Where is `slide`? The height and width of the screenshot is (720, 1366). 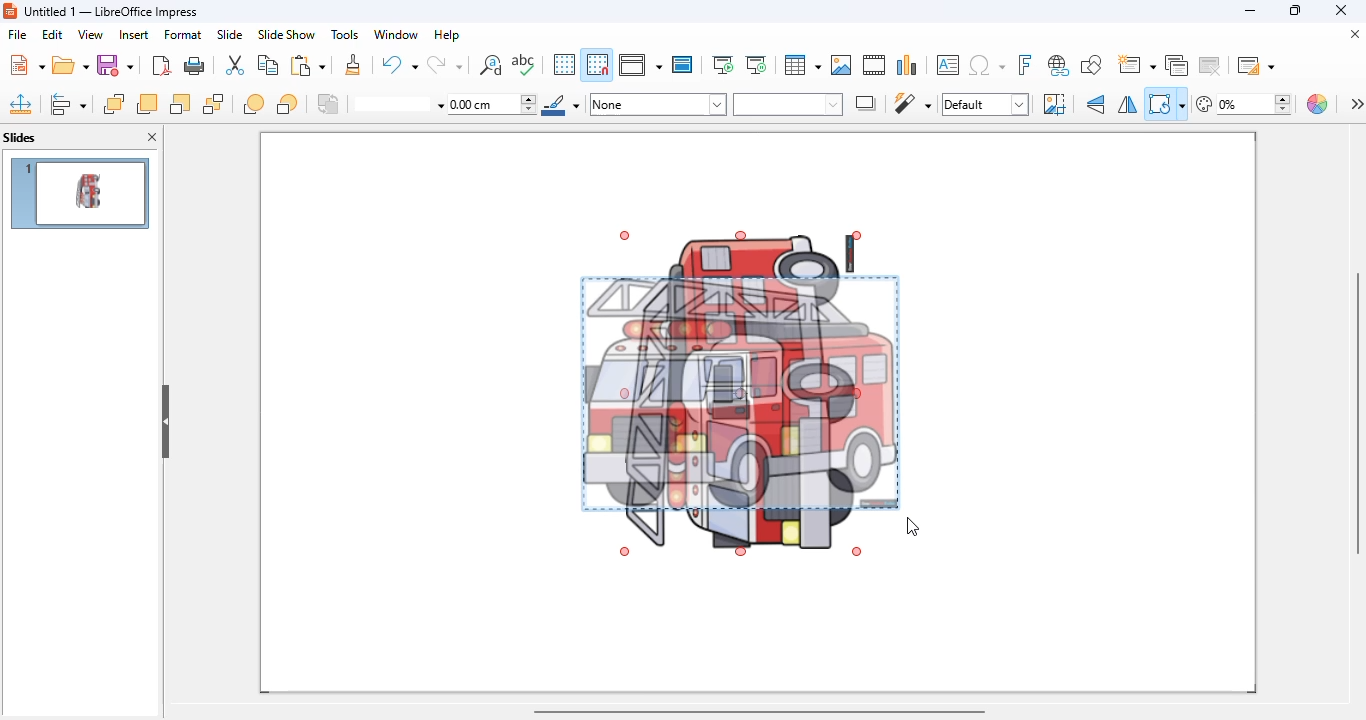
slide is located at coordinates (230, 34).